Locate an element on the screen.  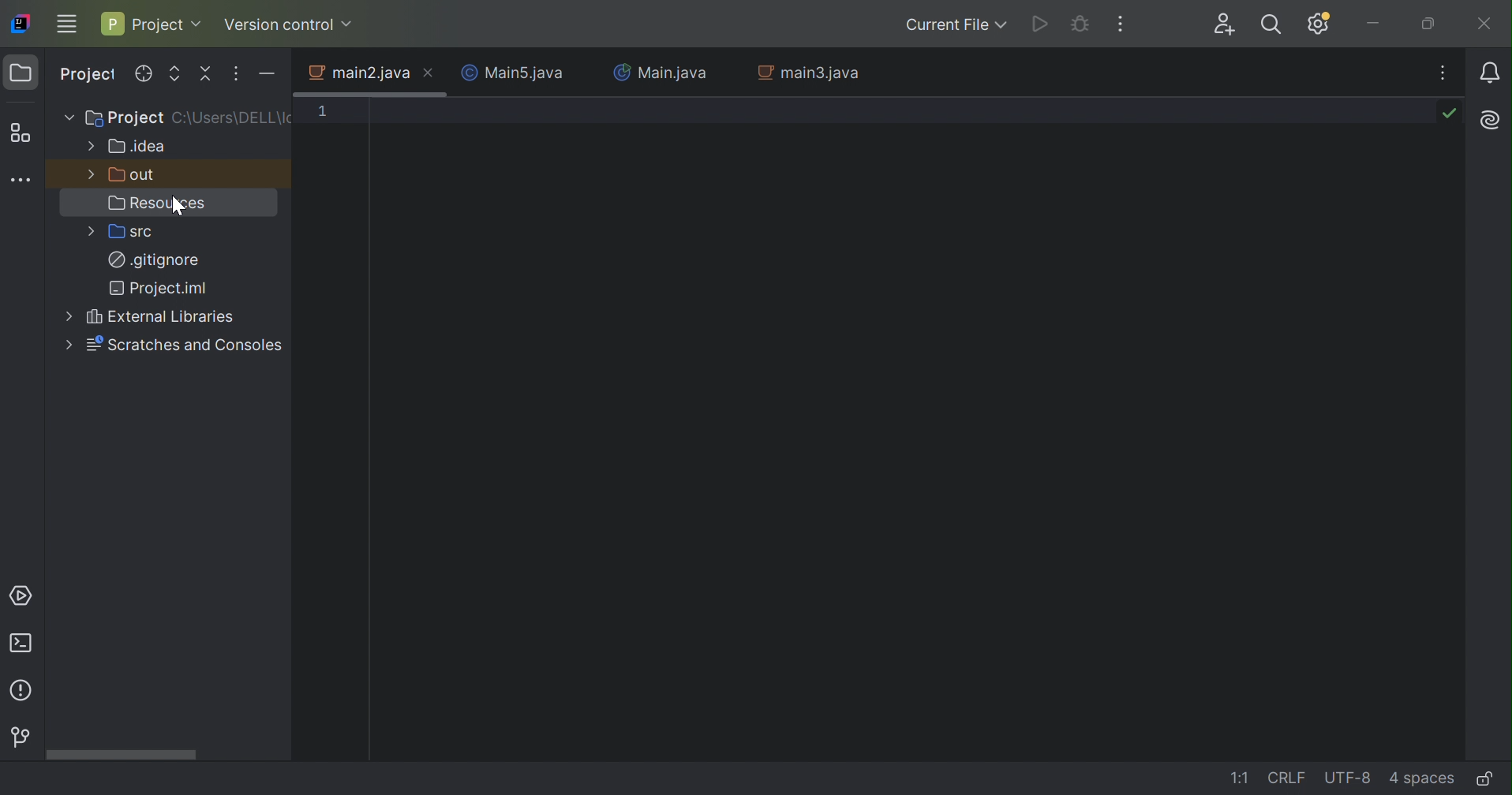
Version control is located at coordinates (288, 24).